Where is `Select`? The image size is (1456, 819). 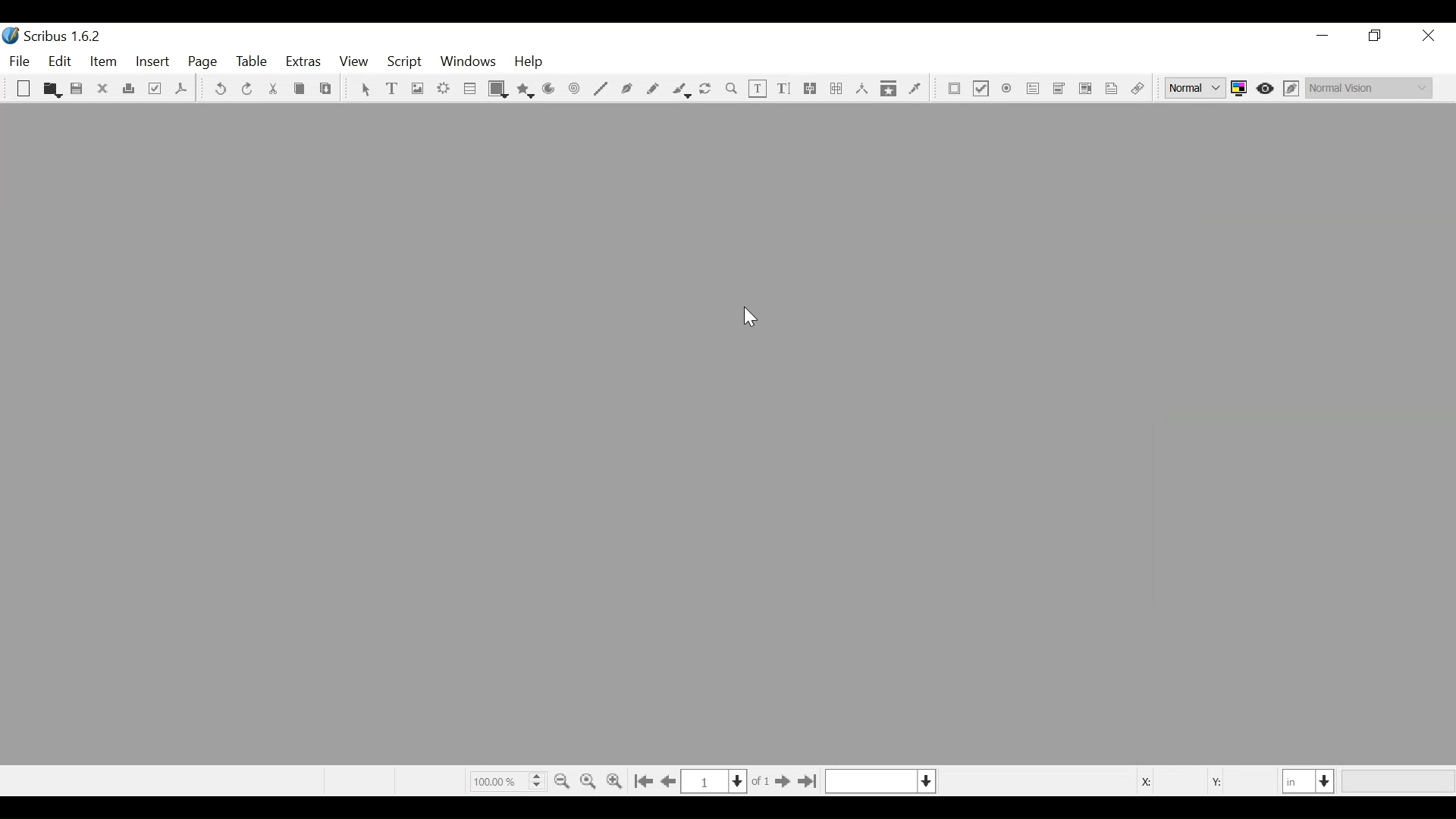 Select is located at coordinates (365, 90).